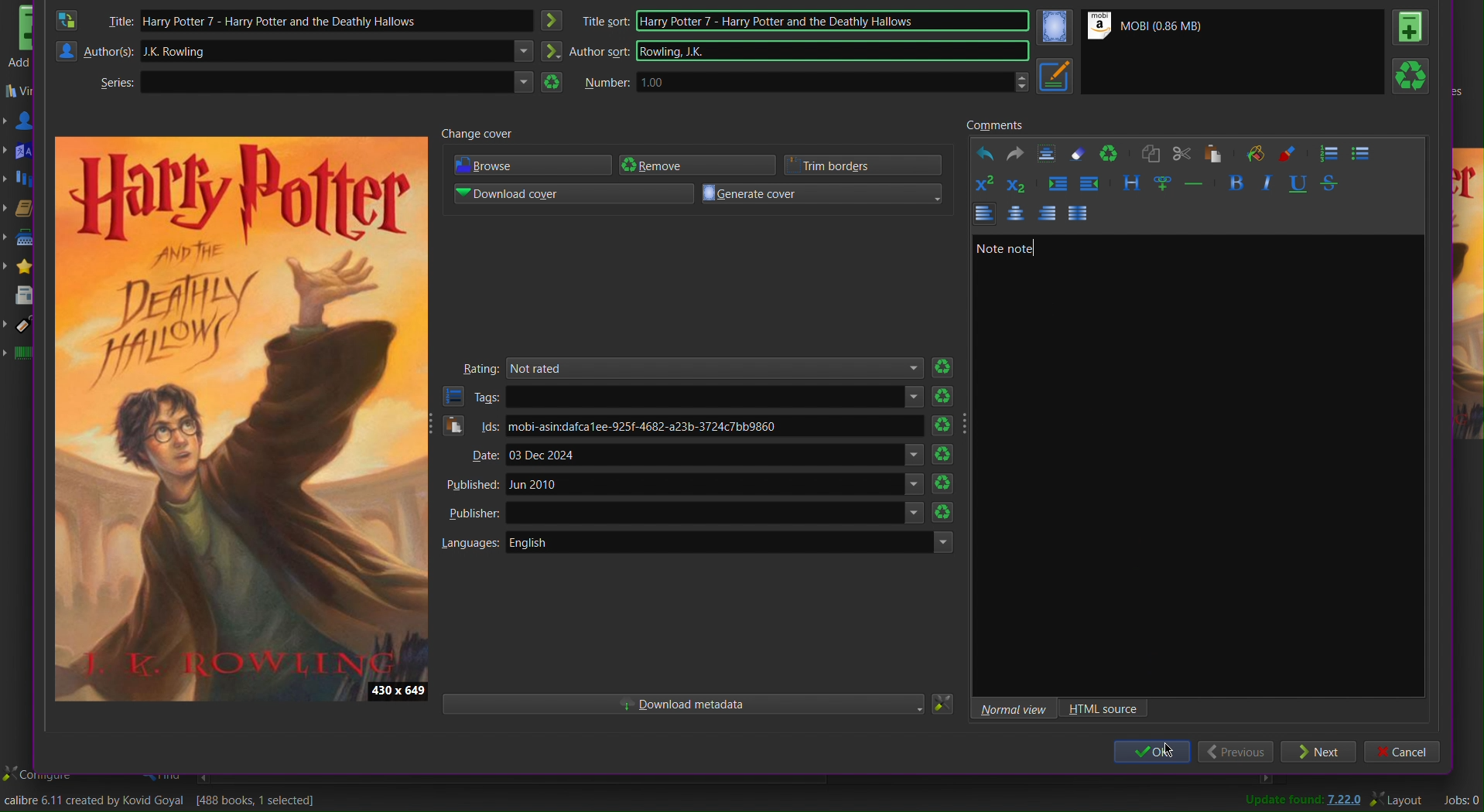 The width and height of the screenshot is (1484, 812). What do you see at coordinates (715, 425) in the screenshot?
I see `mobi` at bounding box center [715, 425].